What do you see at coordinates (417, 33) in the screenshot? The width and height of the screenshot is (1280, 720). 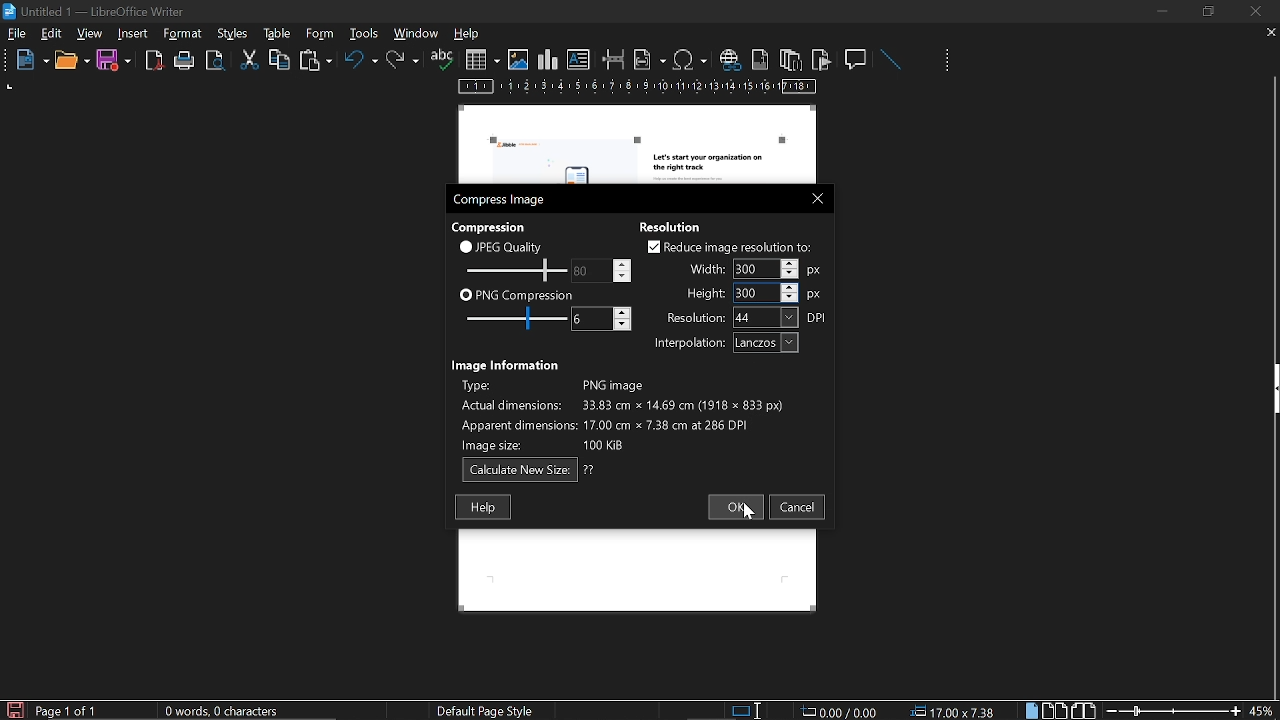 I see `window` at bounding box center [417, 33].